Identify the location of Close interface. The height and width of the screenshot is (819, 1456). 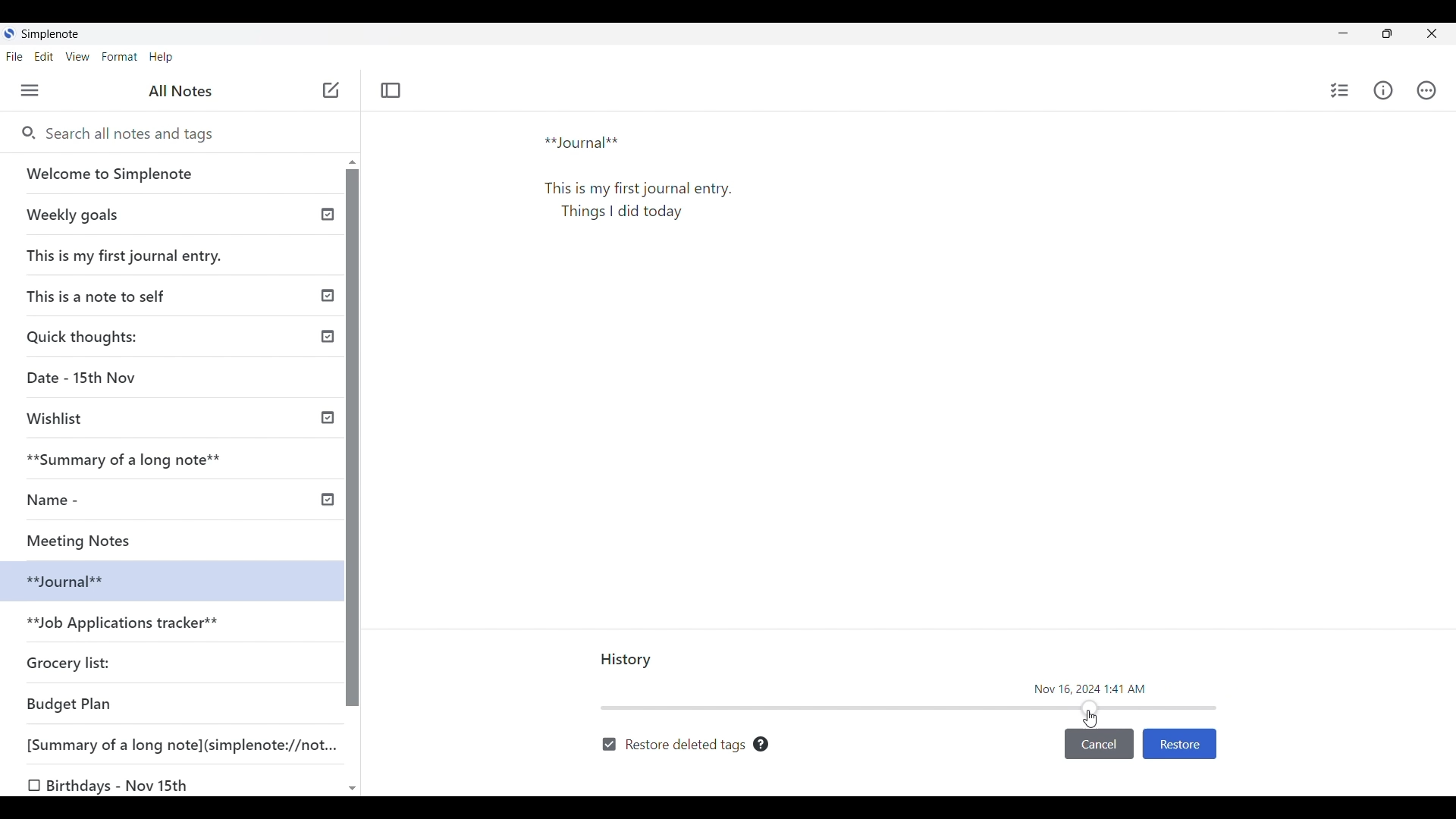
(1431, 33).